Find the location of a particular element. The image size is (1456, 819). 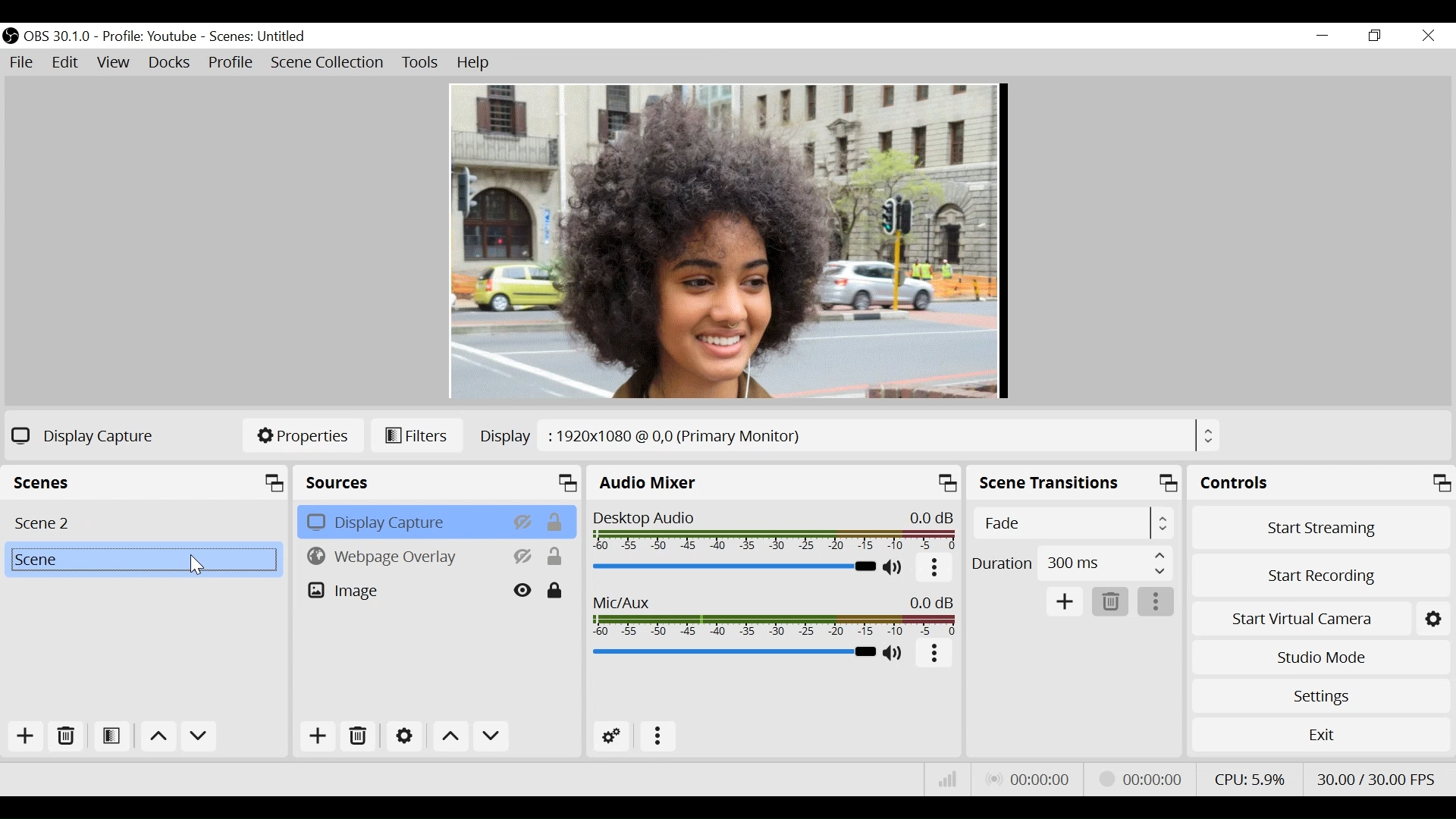

Move down is located at coordinates (490, 736).